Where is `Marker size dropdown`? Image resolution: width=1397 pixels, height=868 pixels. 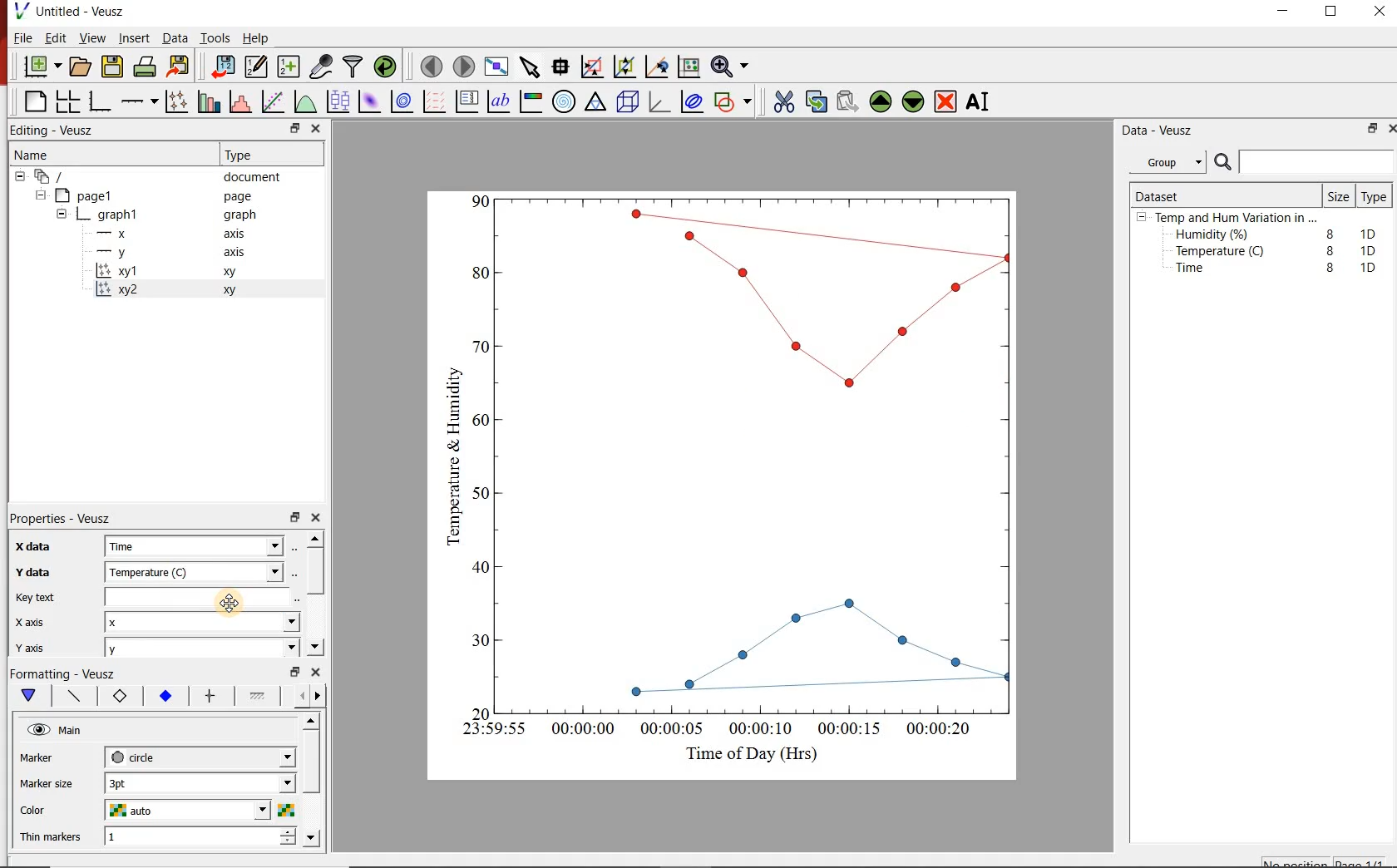 Marker size dropdown is located at coordinates (249, 784).